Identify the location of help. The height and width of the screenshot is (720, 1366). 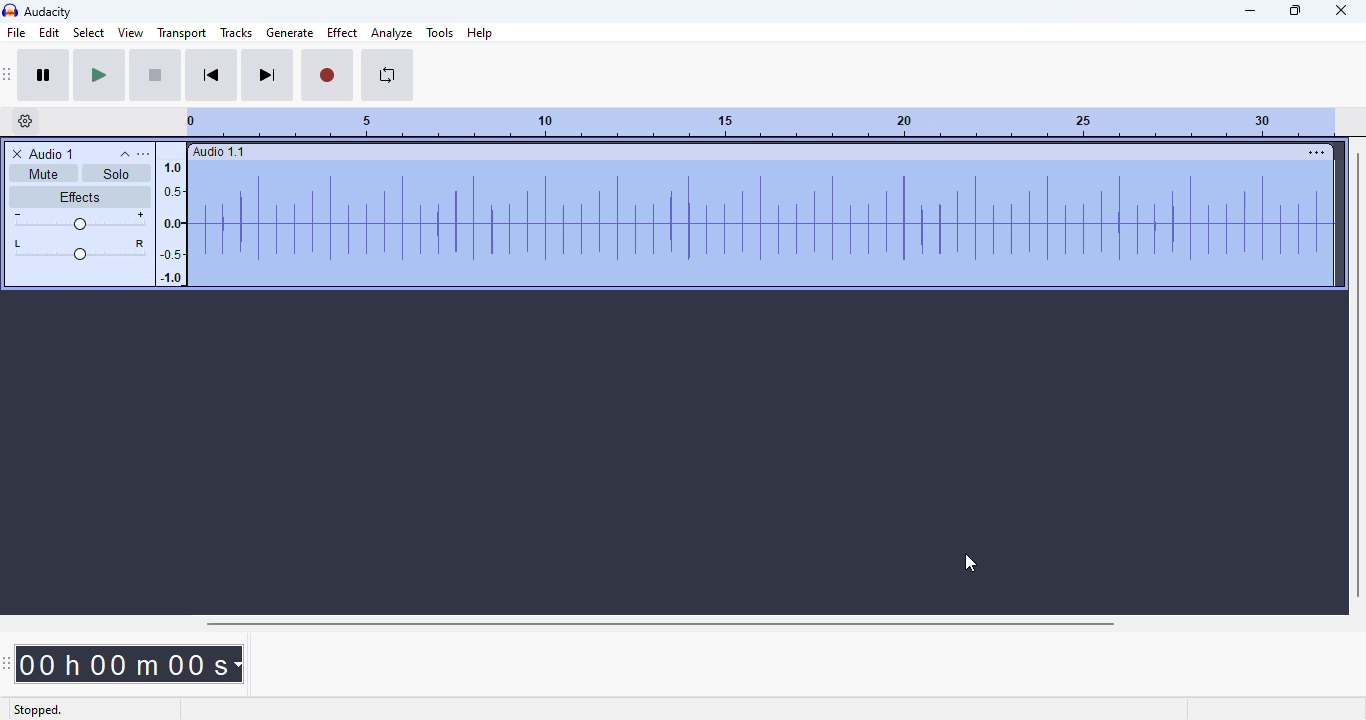
(480, 33).